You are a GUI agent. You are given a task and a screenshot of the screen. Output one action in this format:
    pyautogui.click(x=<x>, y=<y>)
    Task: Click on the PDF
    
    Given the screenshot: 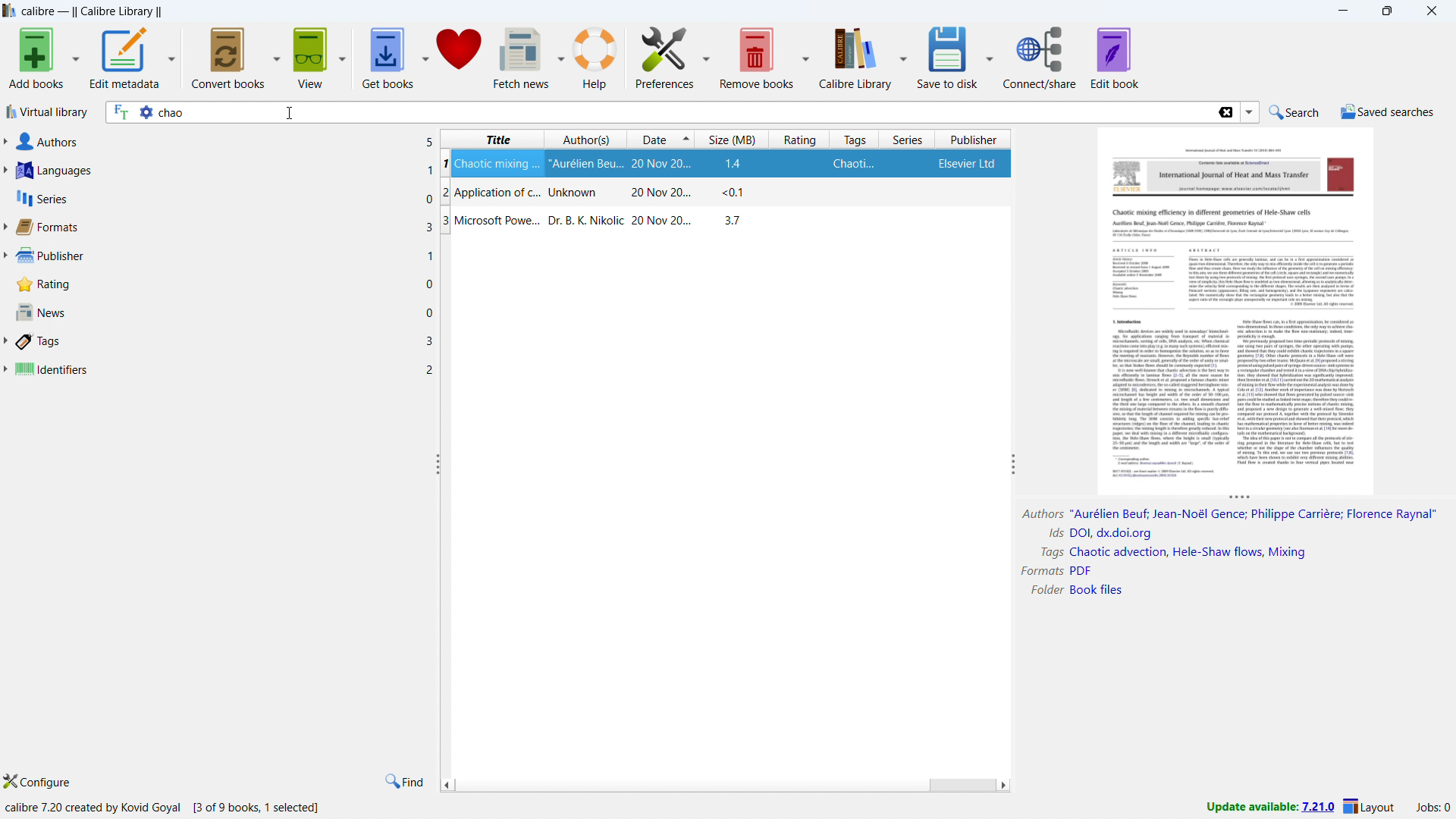 What is the action you would take?
    pyautogui.click(x=1090, y=570)
    